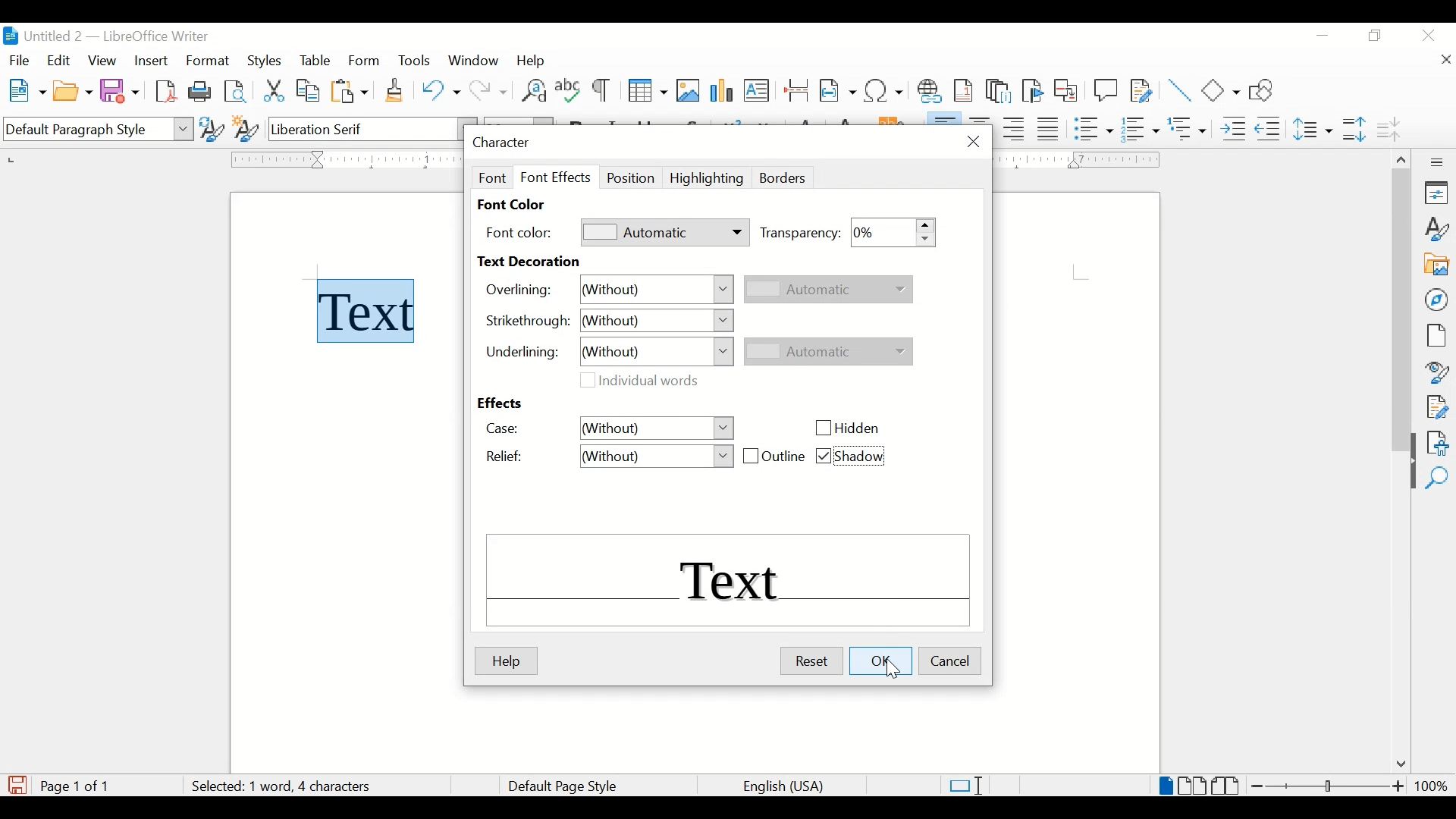  I want to click on print, so click(200, 90).